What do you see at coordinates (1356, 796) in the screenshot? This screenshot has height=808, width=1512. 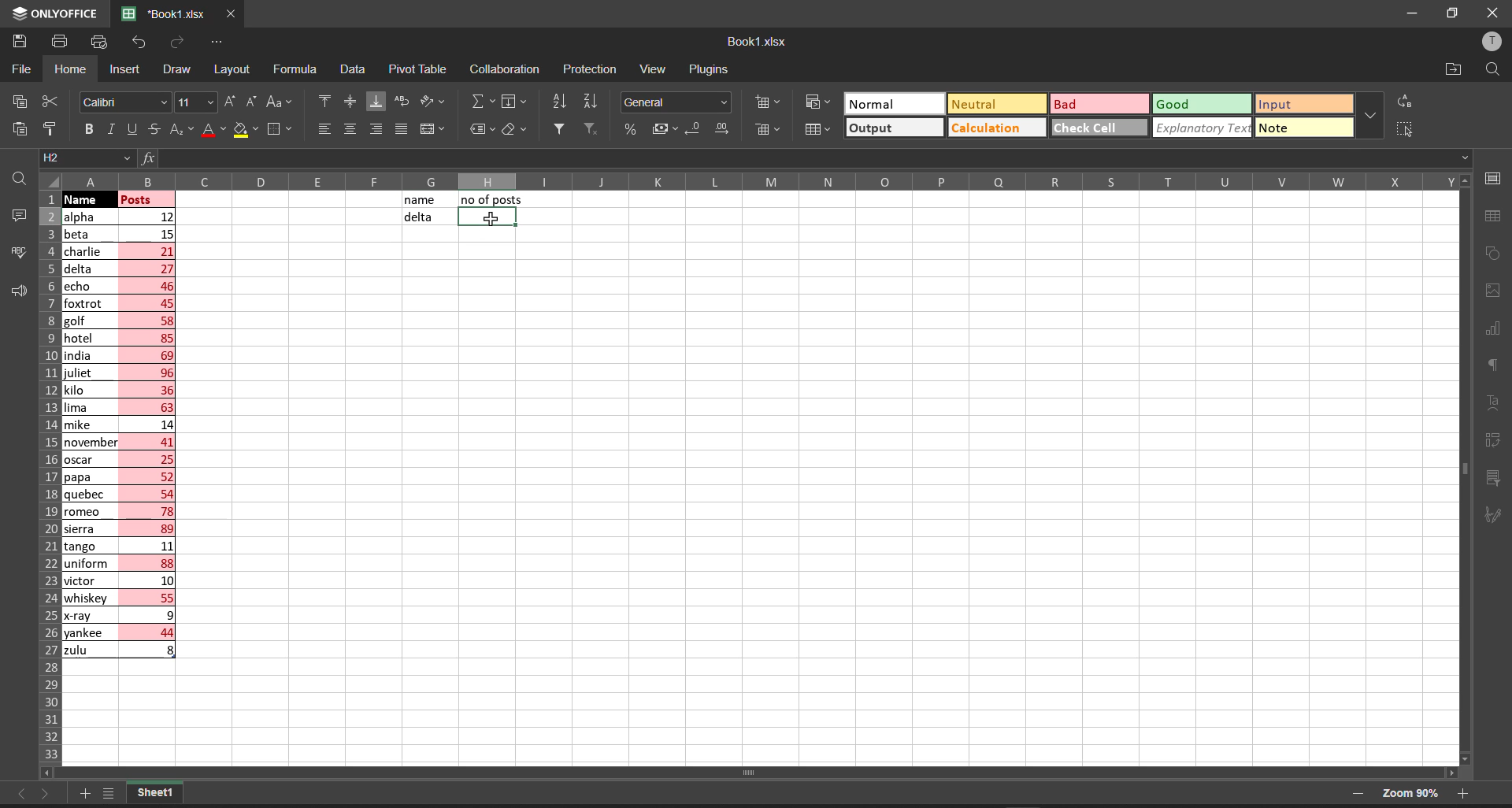 I see `zoom out` at bounding box center [1356, 796].